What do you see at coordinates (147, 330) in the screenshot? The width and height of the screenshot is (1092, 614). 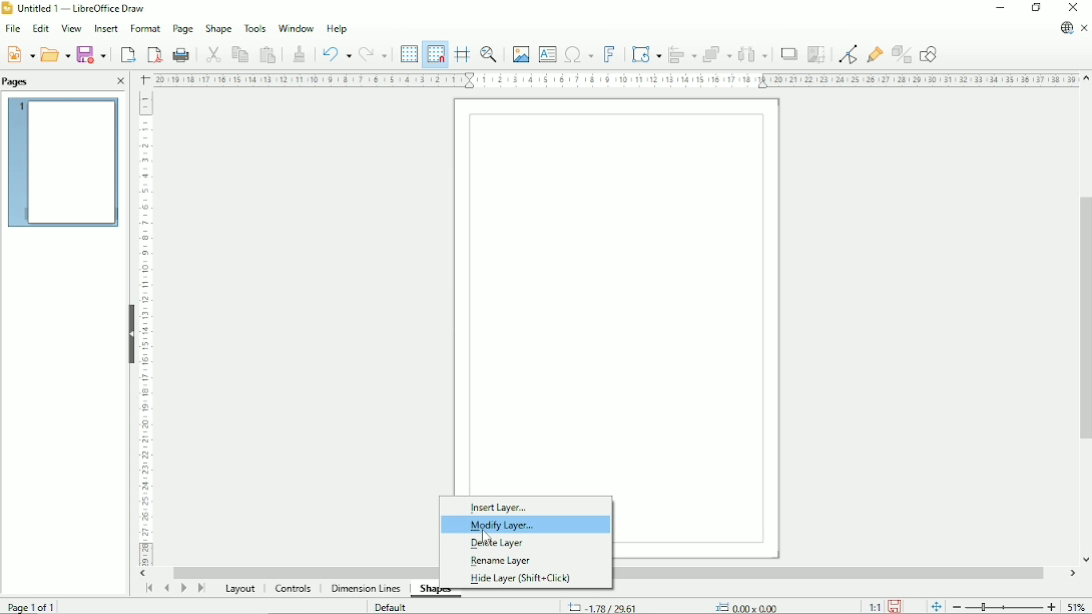 I see `Vertical scale` at bounding box center [147, 330].